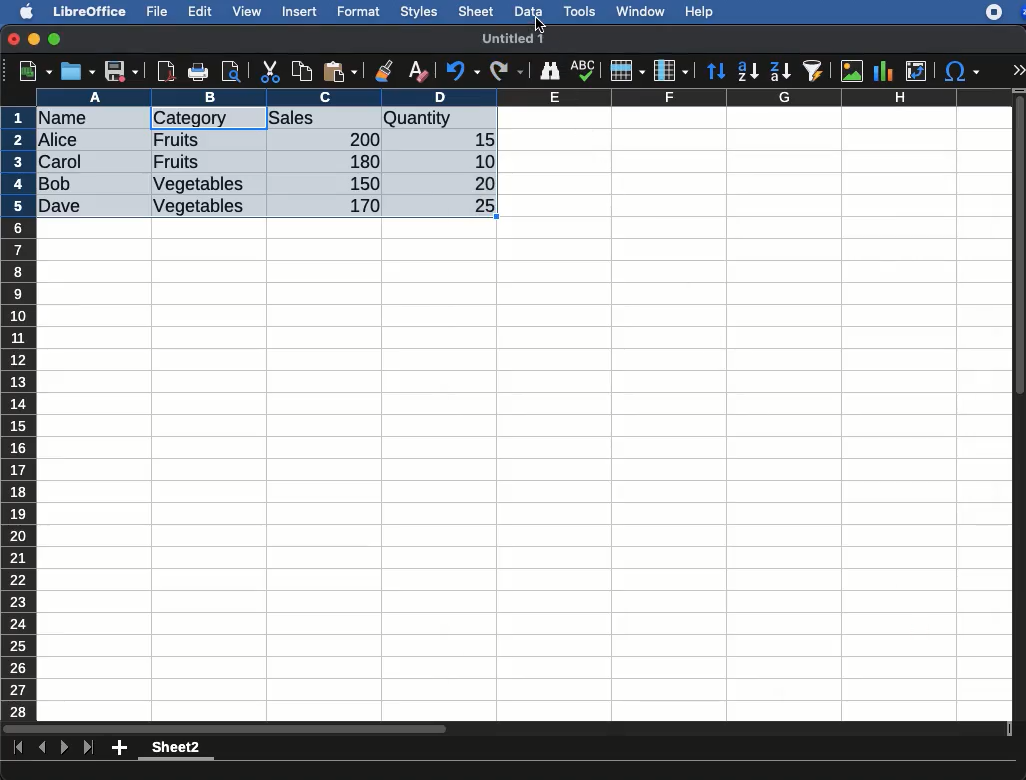 Image resolution: width=1026 pixels, height=780 pixels. I want to click on edit, so click(200, 11).